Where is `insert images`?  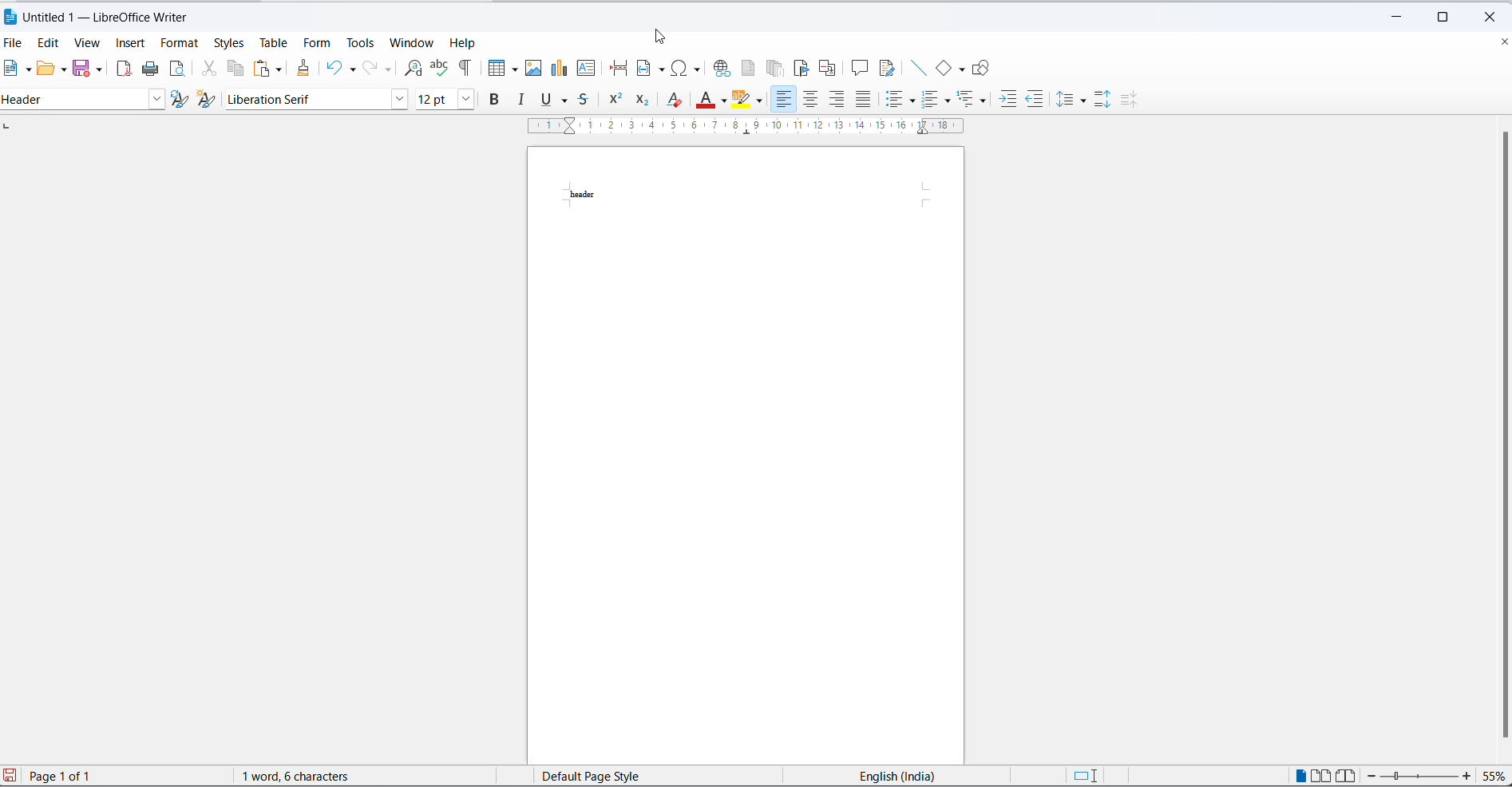
insert images is located at coordinates (534, 68).